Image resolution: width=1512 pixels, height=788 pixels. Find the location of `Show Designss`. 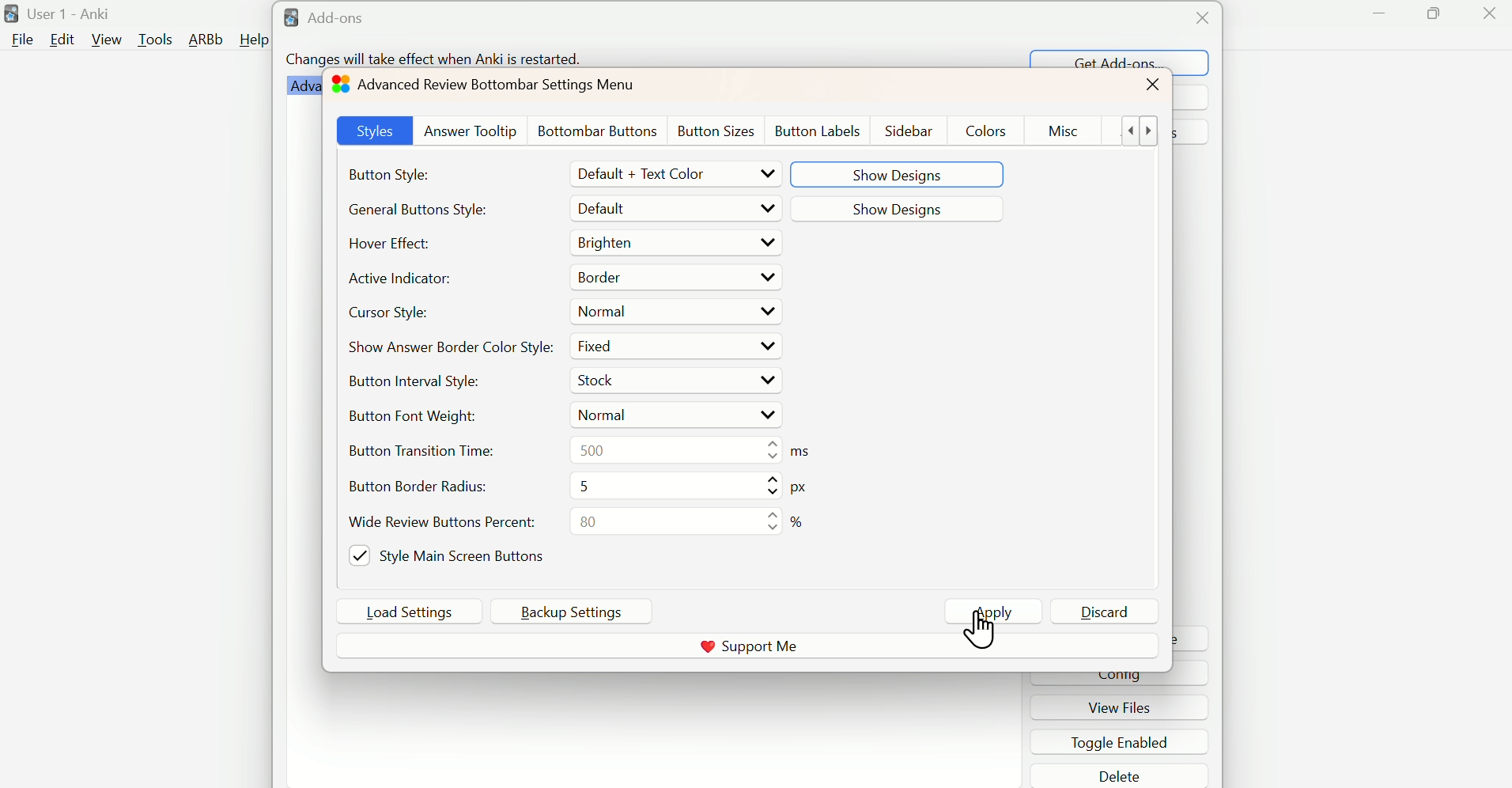

Show Designss is located at coordinates (889, 210).